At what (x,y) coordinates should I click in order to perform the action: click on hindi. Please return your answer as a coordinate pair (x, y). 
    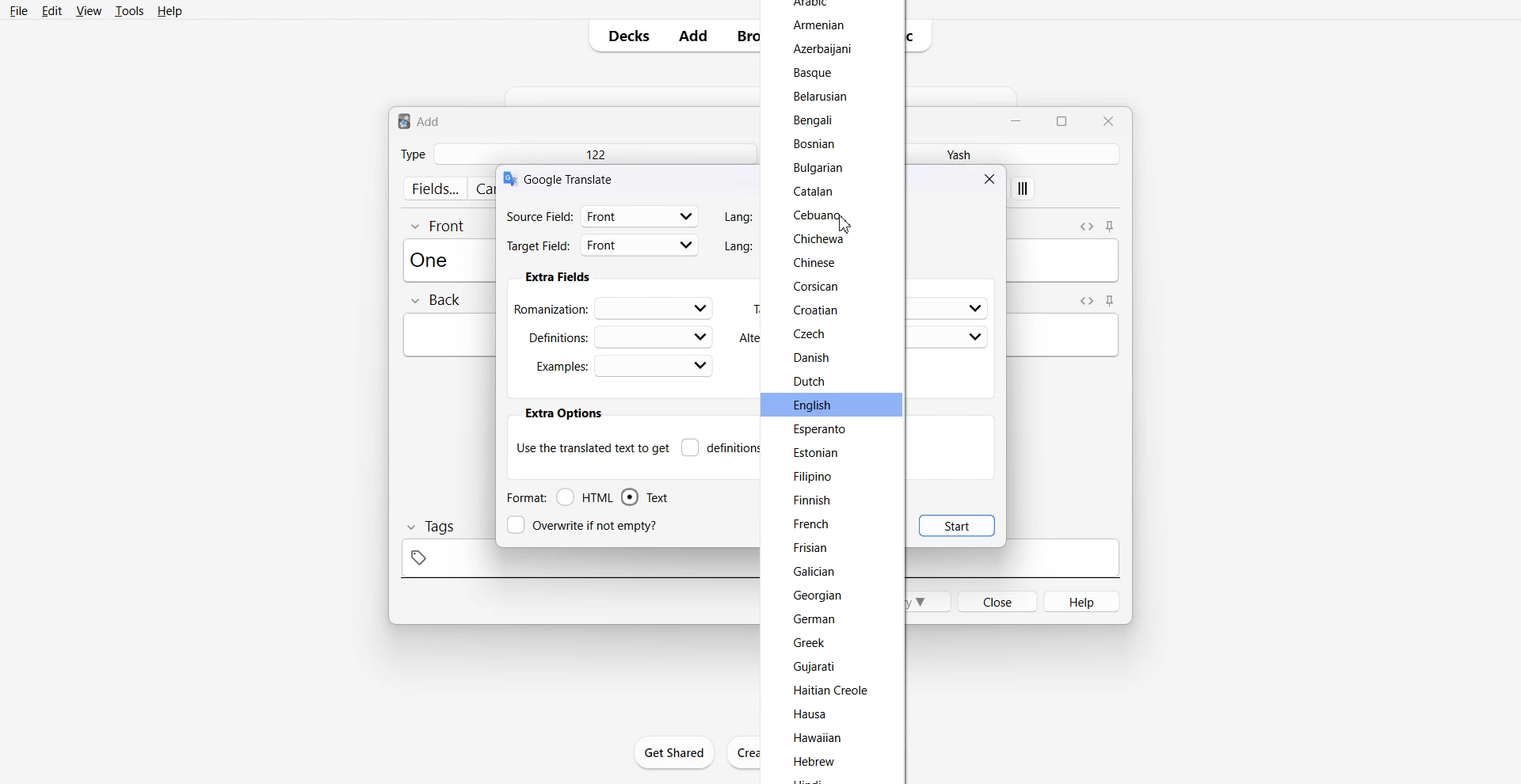
    Looking at the image, I should click on (810, 778).